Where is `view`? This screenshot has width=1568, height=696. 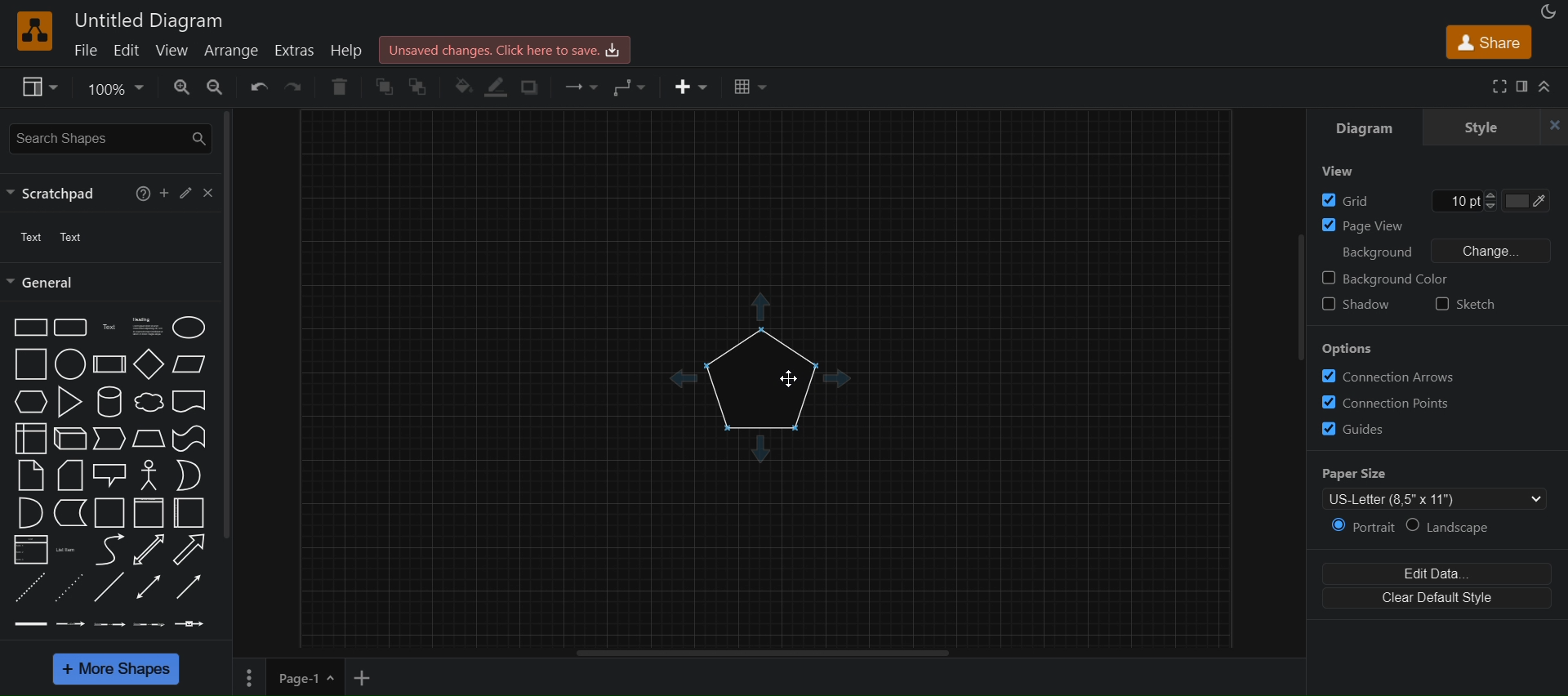 view is located at coordinates (1338, 170).